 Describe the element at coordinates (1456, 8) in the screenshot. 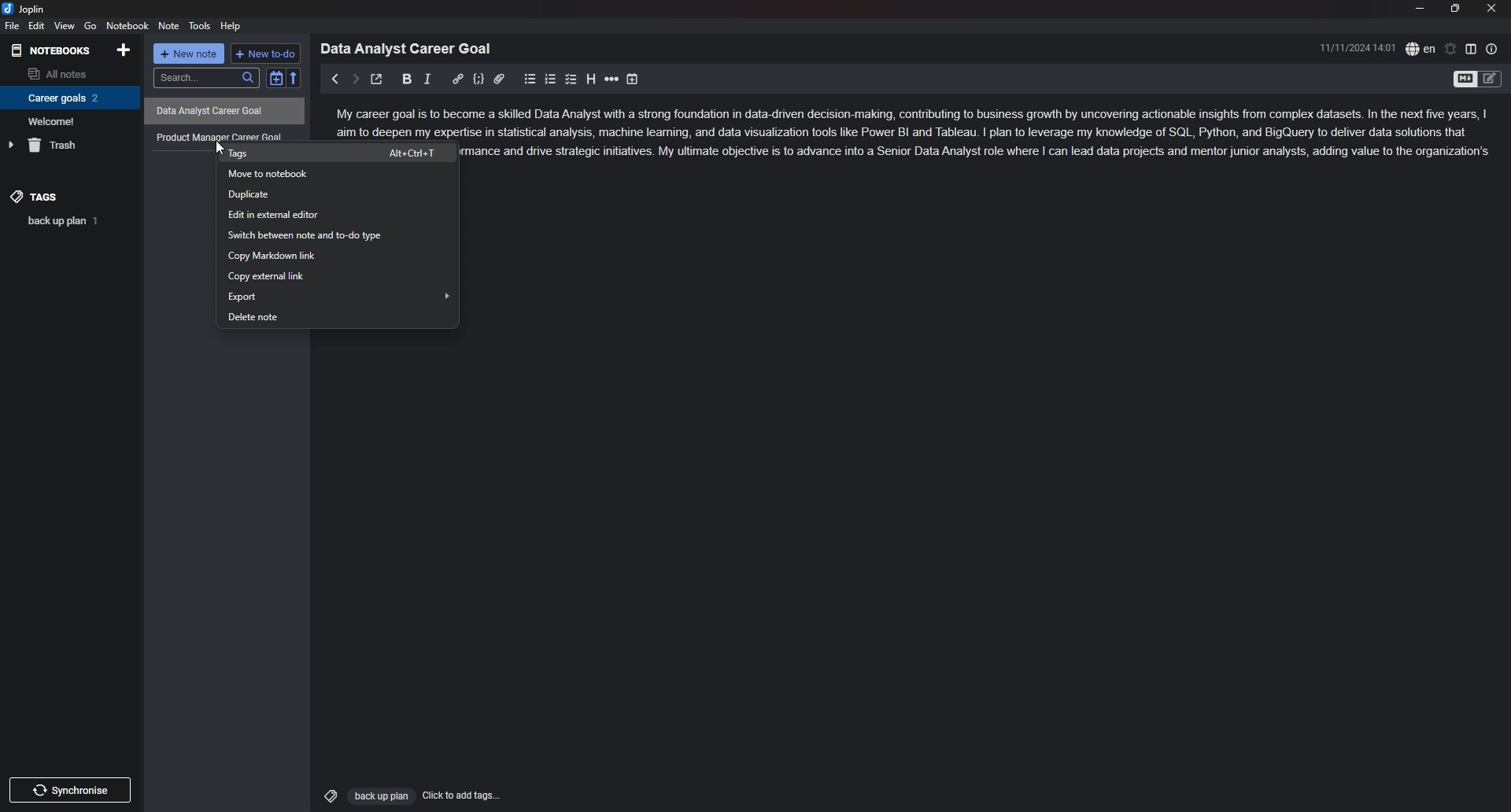

I see `resize` at that location.